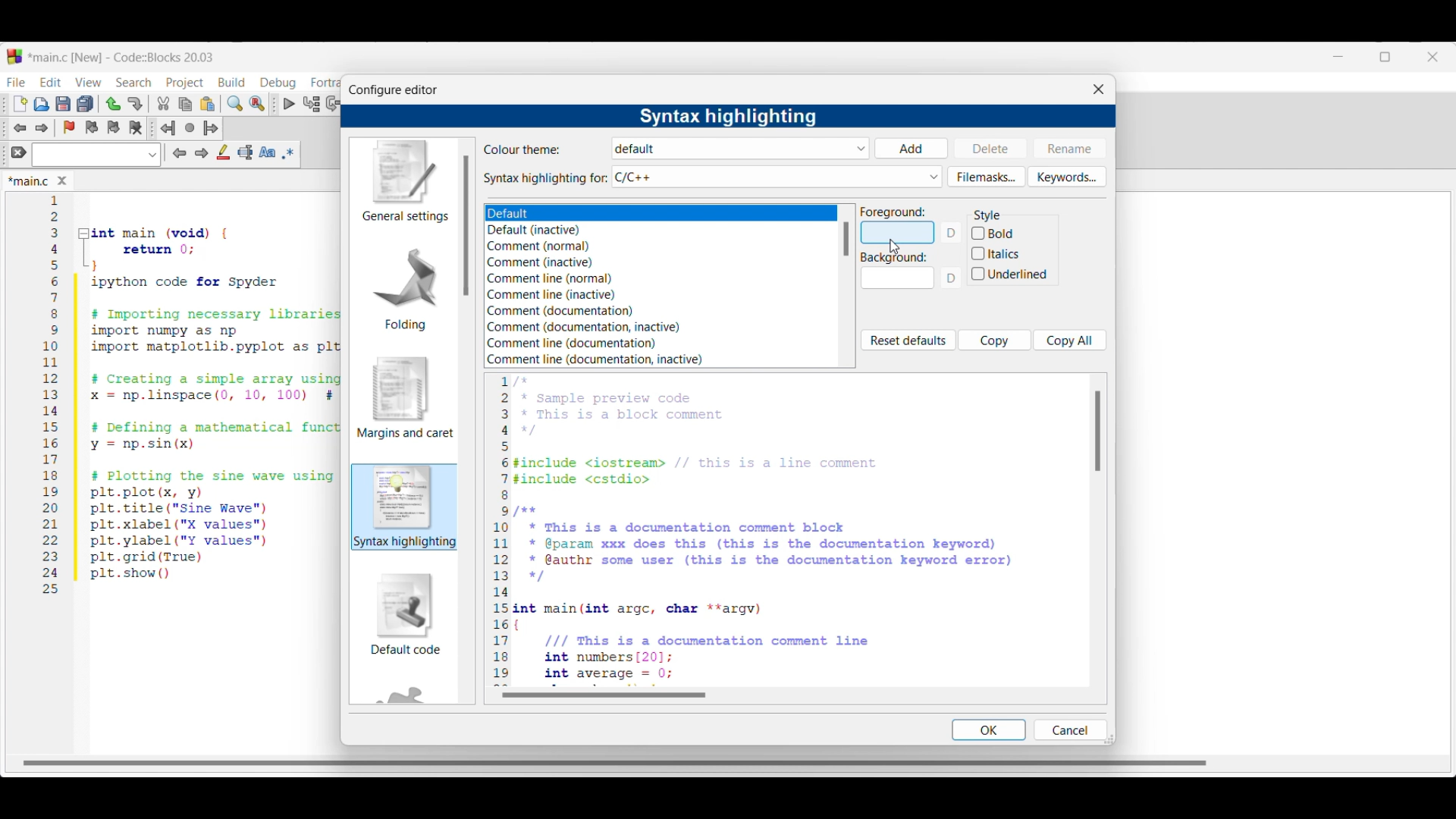 This screenshot has height=819, width=1456. I want to click on Close tab, so click(62, 180).